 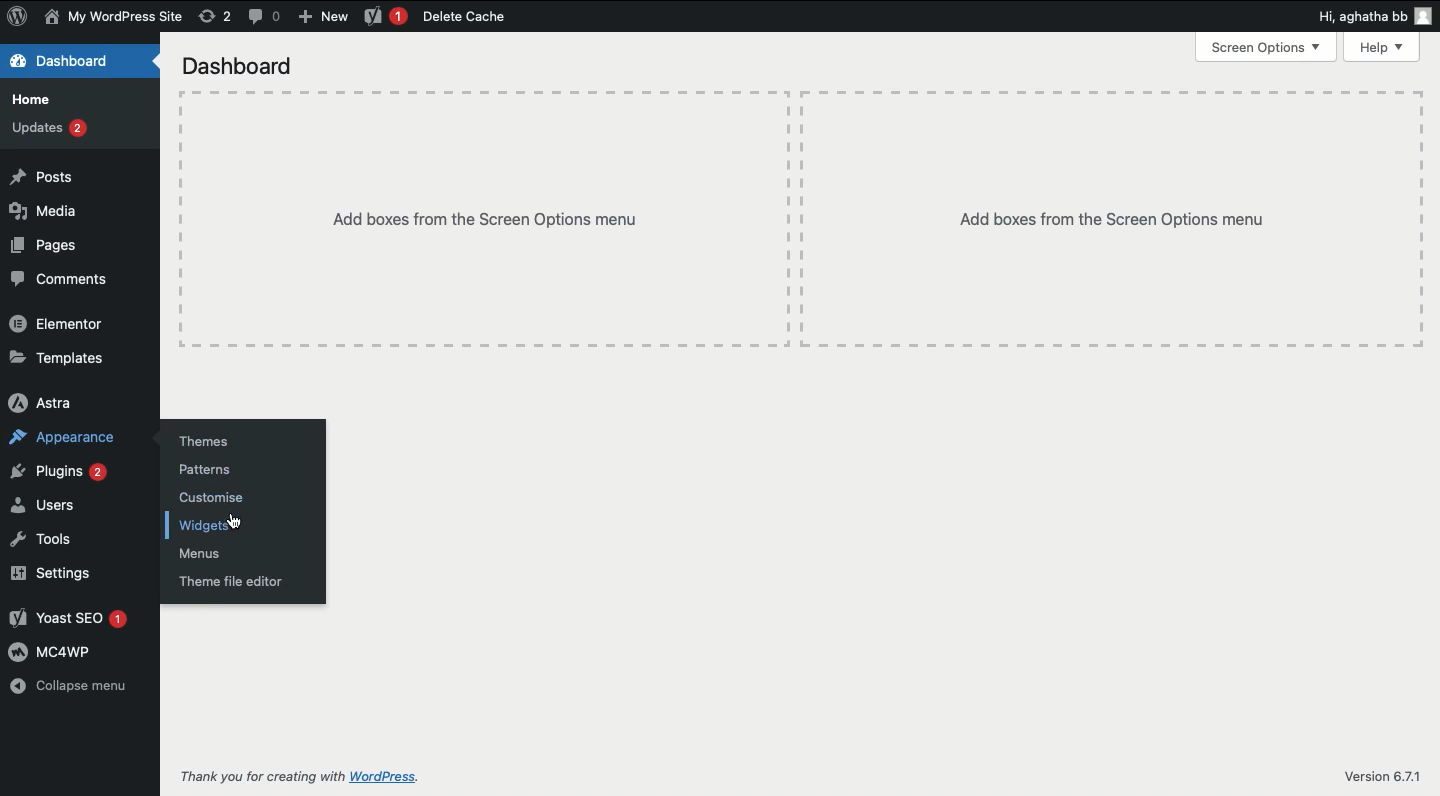 What do you see at coordinates (59, 249) in the screenshot?
I see `Pages` at bounding box center [59, 249].